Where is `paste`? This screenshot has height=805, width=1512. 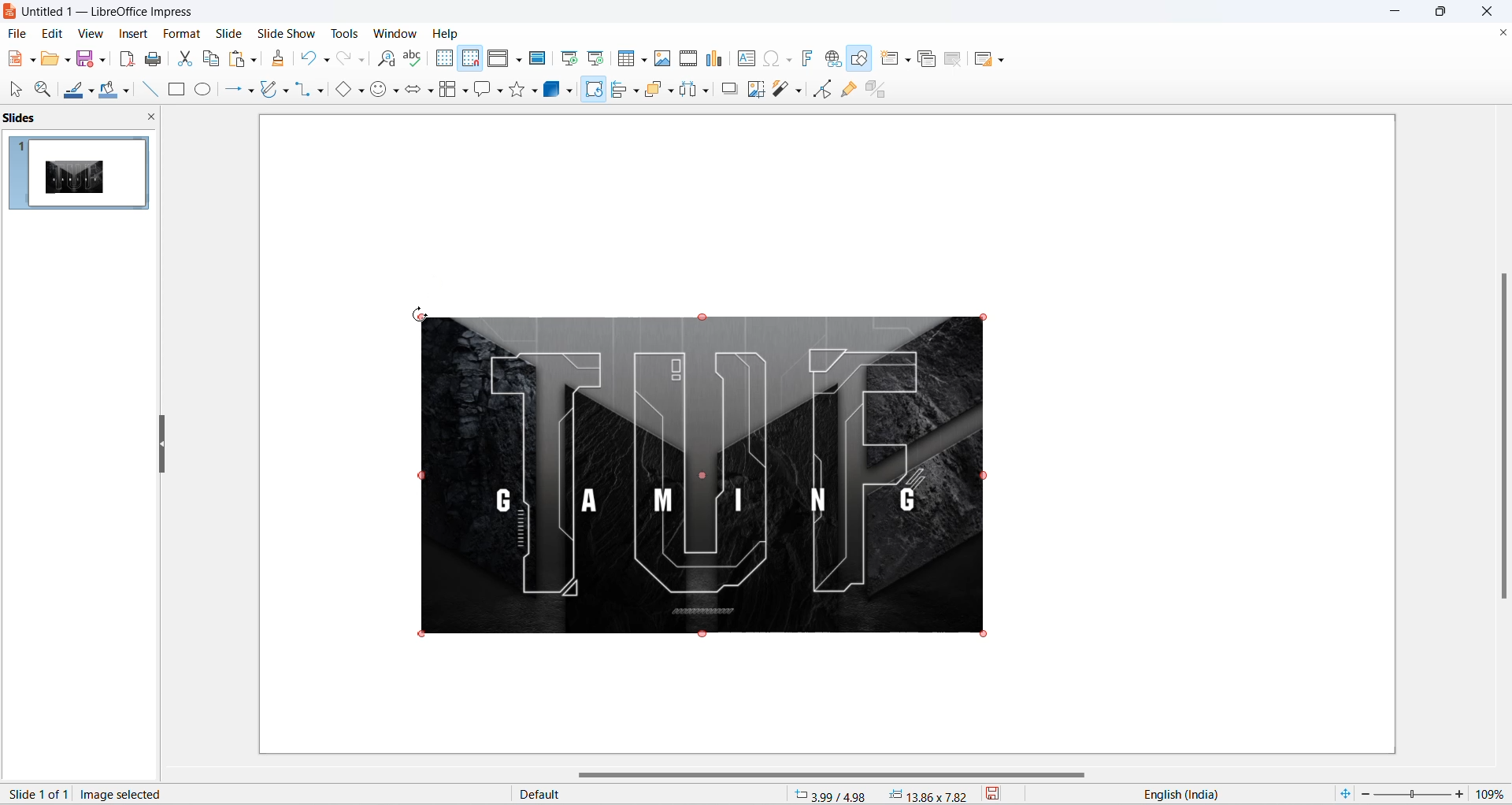
paste is located at coordinates (239, 59).